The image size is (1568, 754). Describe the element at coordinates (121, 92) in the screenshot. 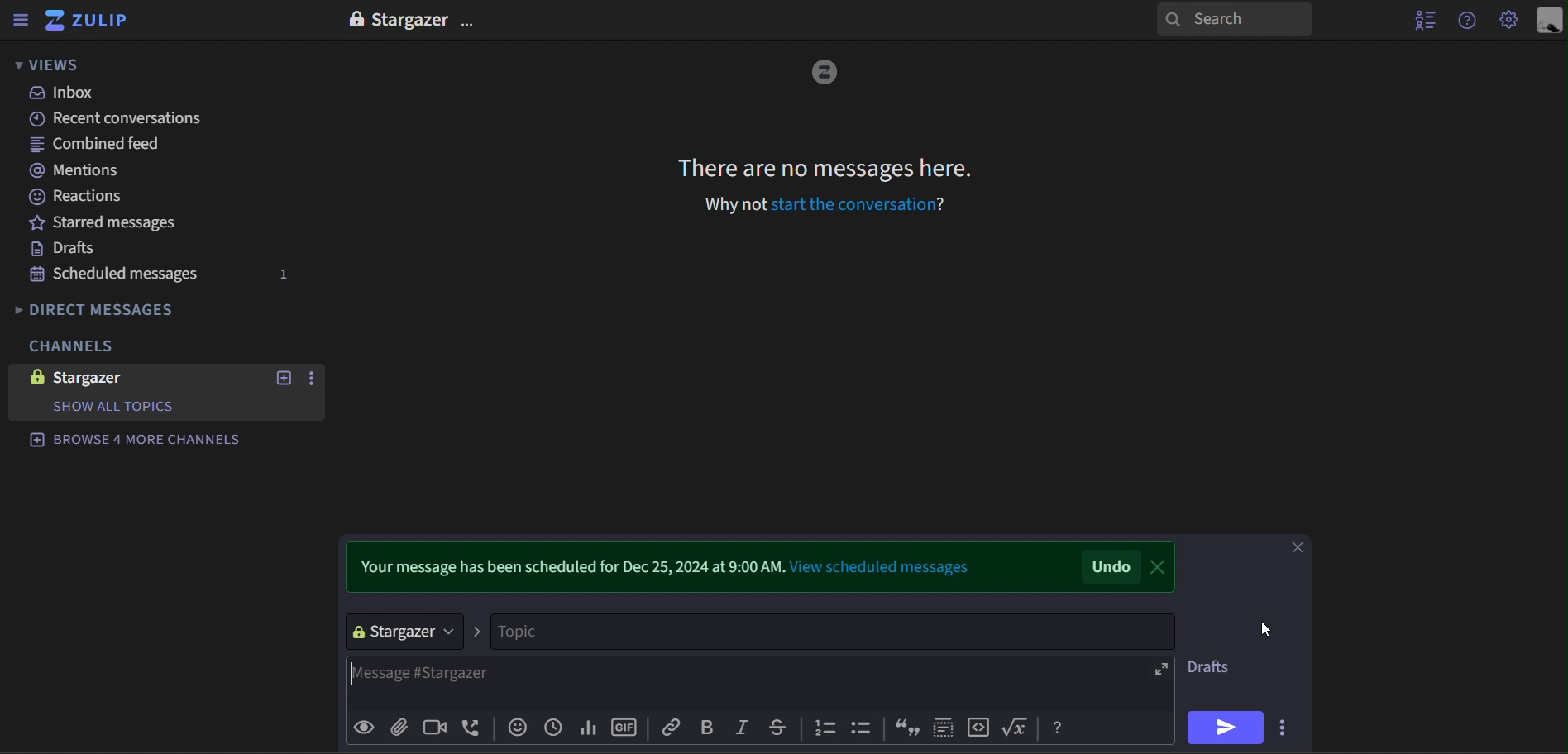

I see `inbox` at that location.